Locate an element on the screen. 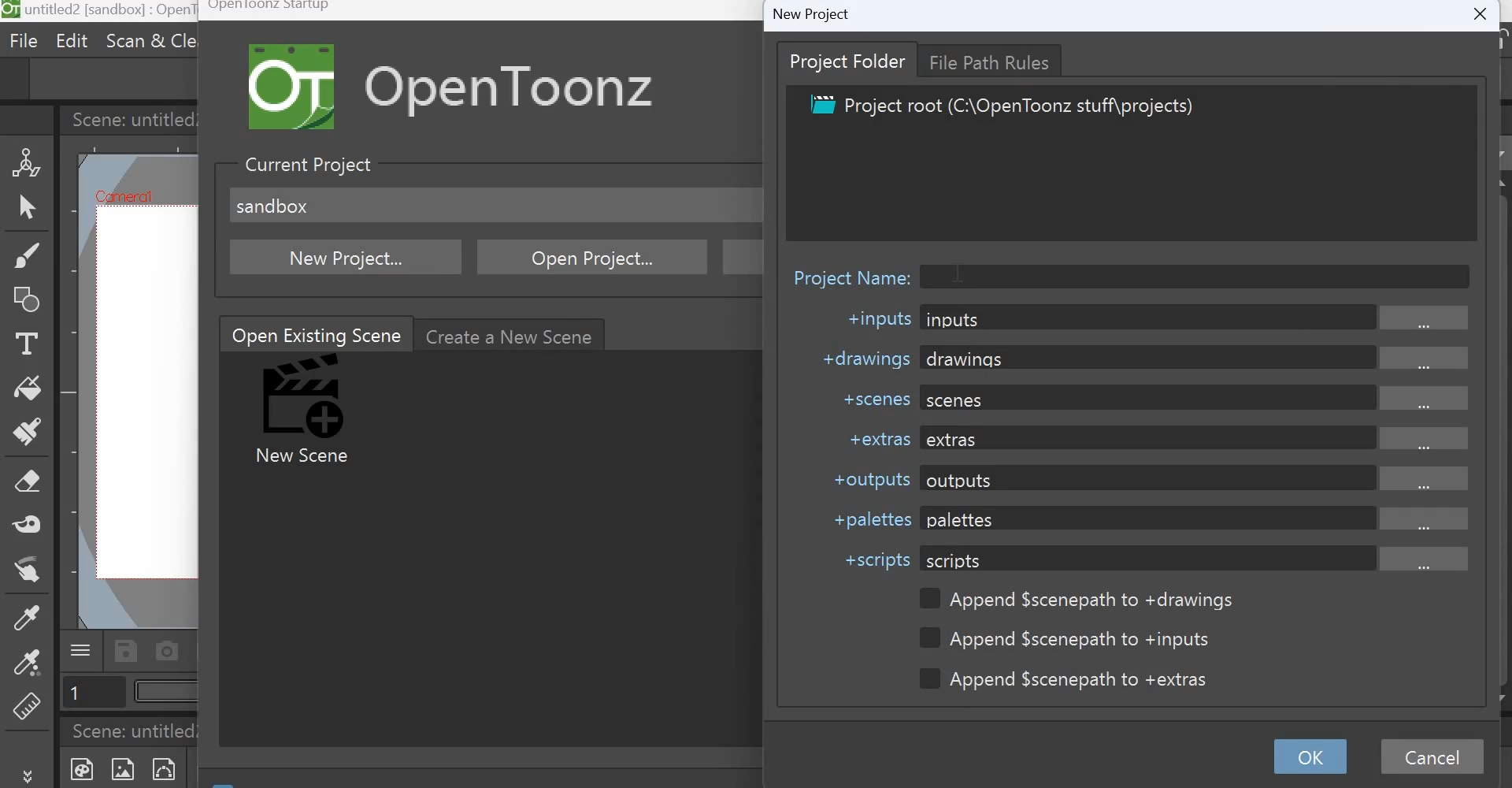 The height and width of the screenshot is (788, 1512). Type Tool is located at coordinates (24, 346).